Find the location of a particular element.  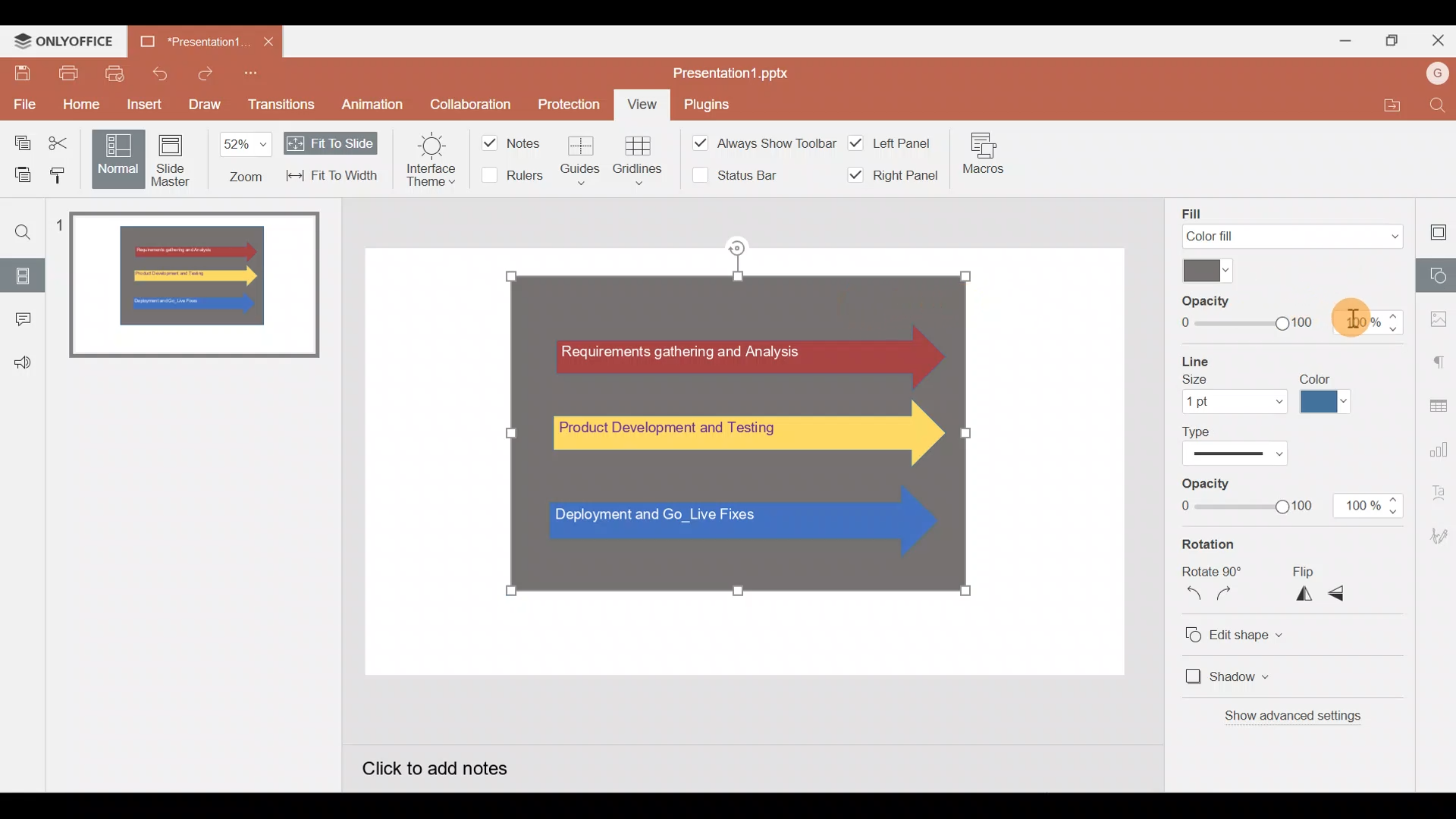

Shapes settings is located at coordinates (1437, 278).